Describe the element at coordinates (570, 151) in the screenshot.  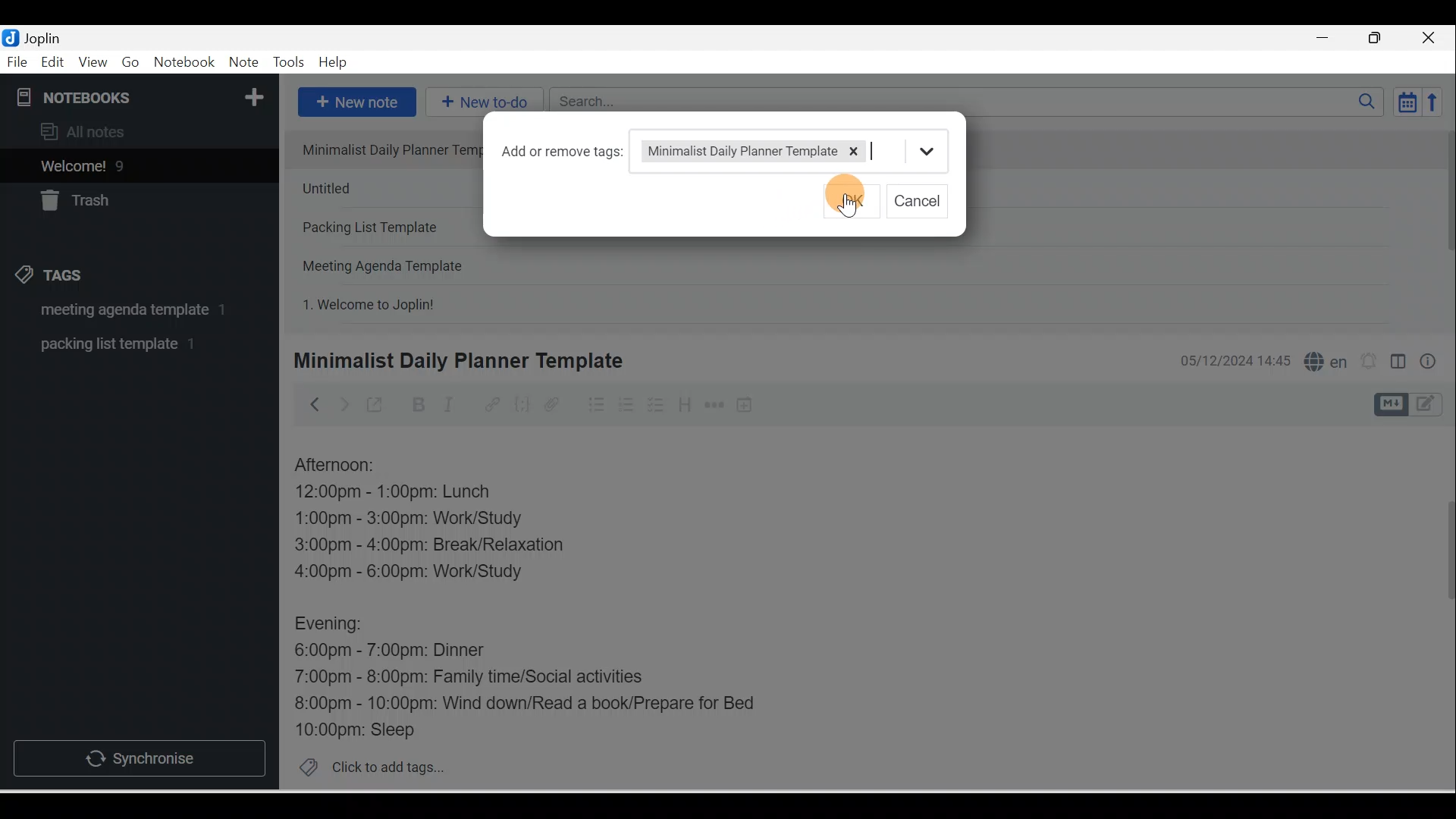
I see `Add or remove tags` at that location.